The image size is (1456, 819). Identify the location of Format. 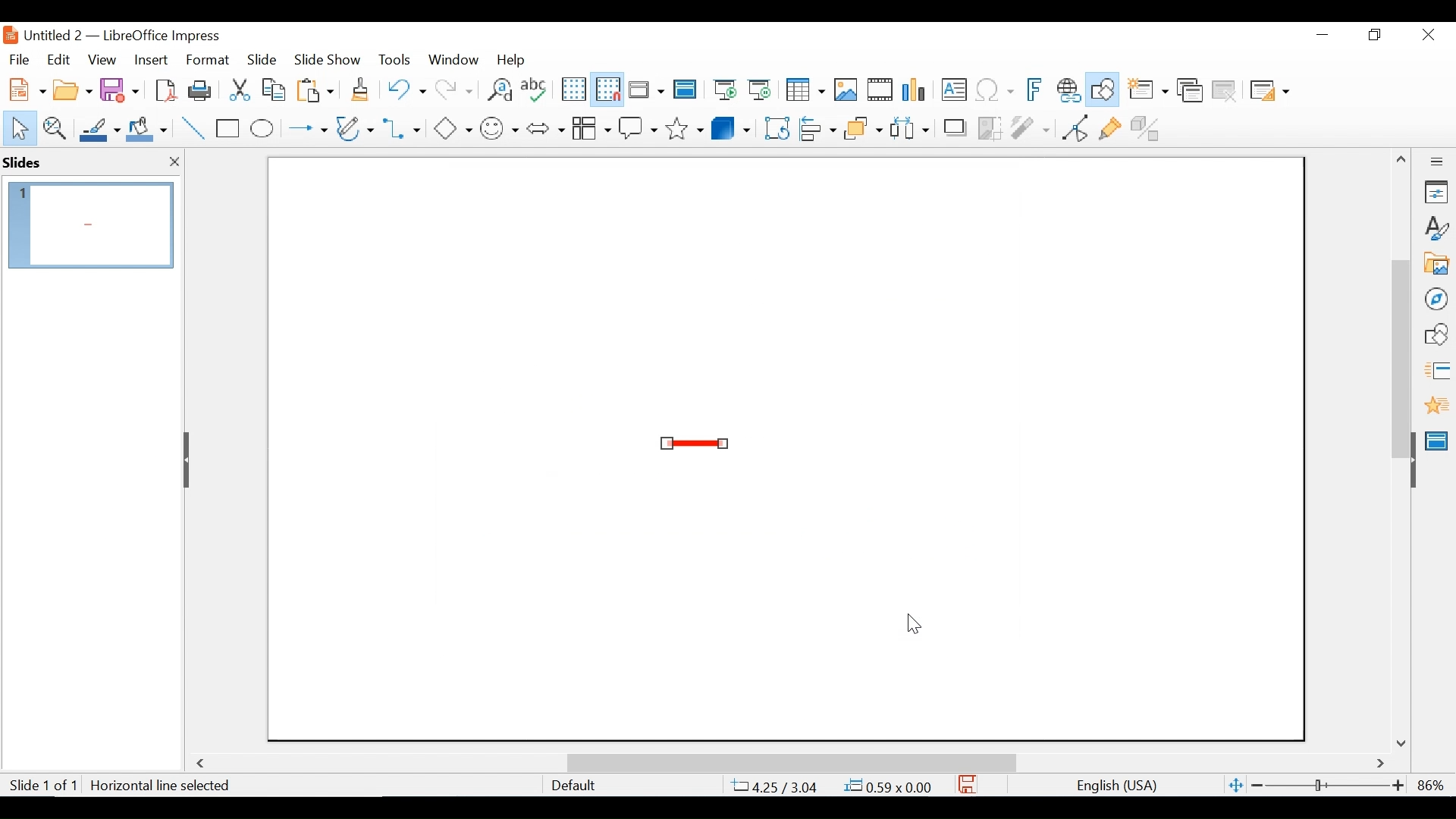
(209, 60).